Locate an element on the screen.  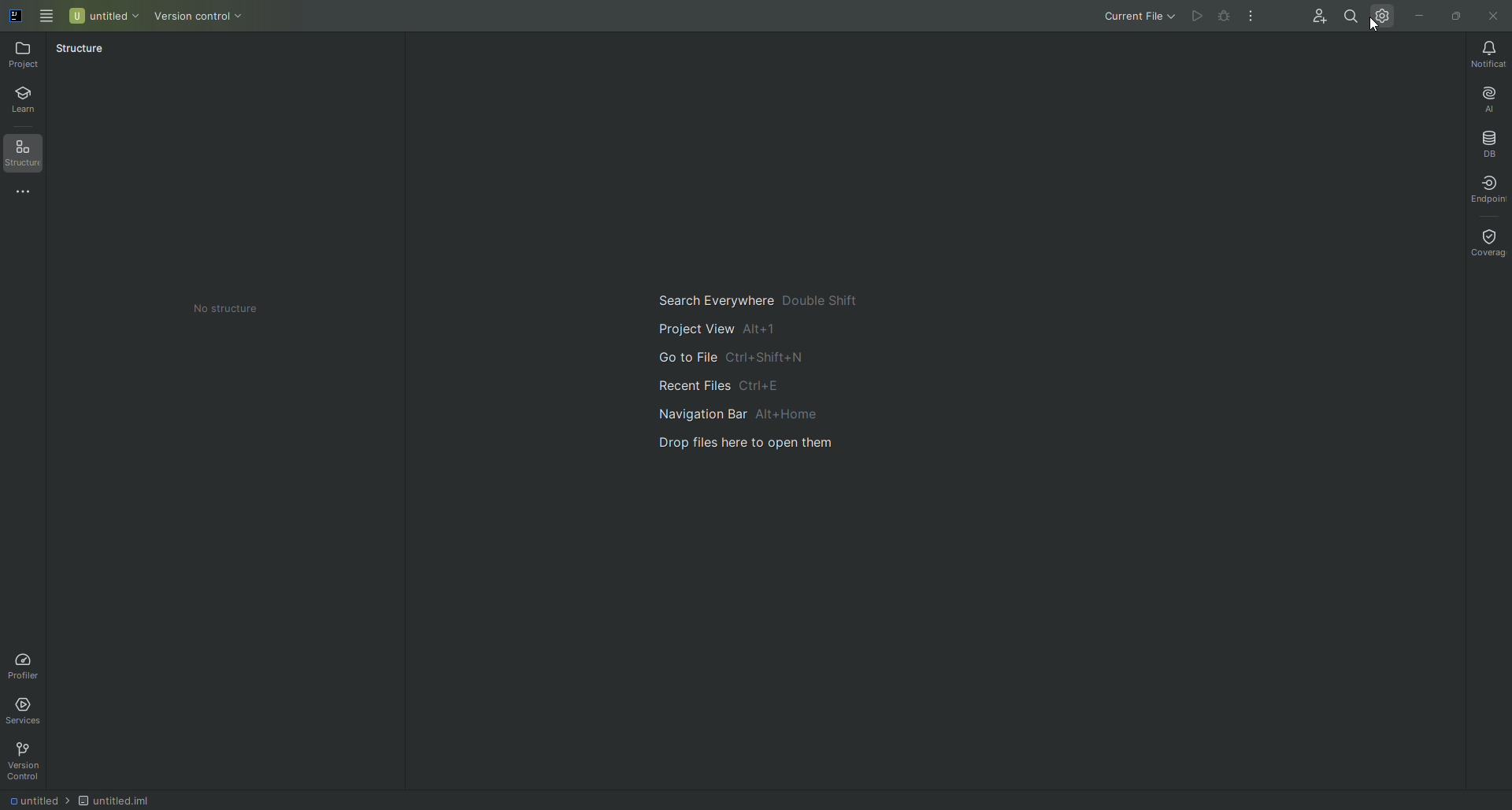
Coverage is located at coordinates (1486, 243).